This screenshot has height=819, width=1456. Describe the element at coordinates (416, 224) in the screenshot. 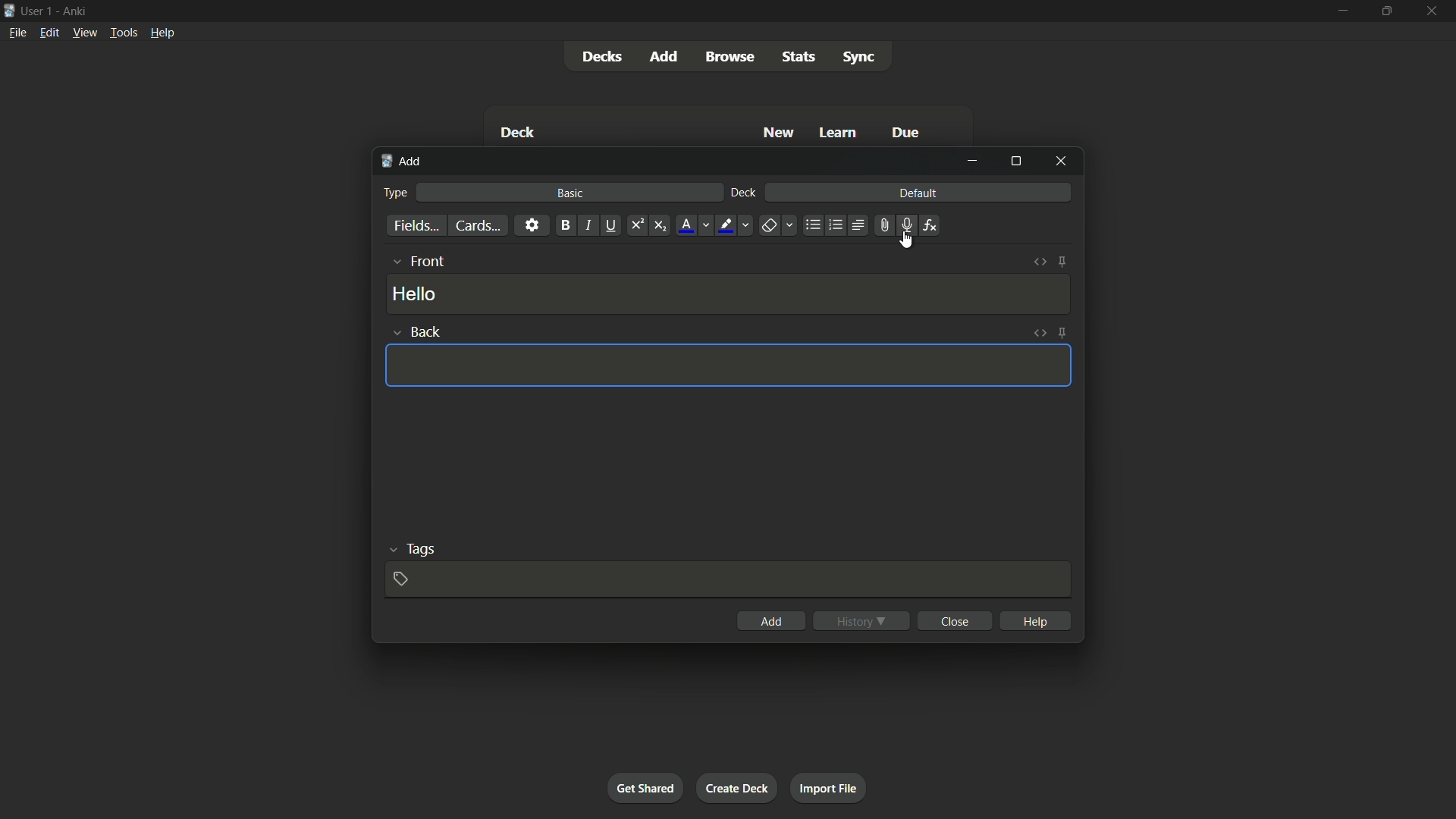

I see `fields` at that location.